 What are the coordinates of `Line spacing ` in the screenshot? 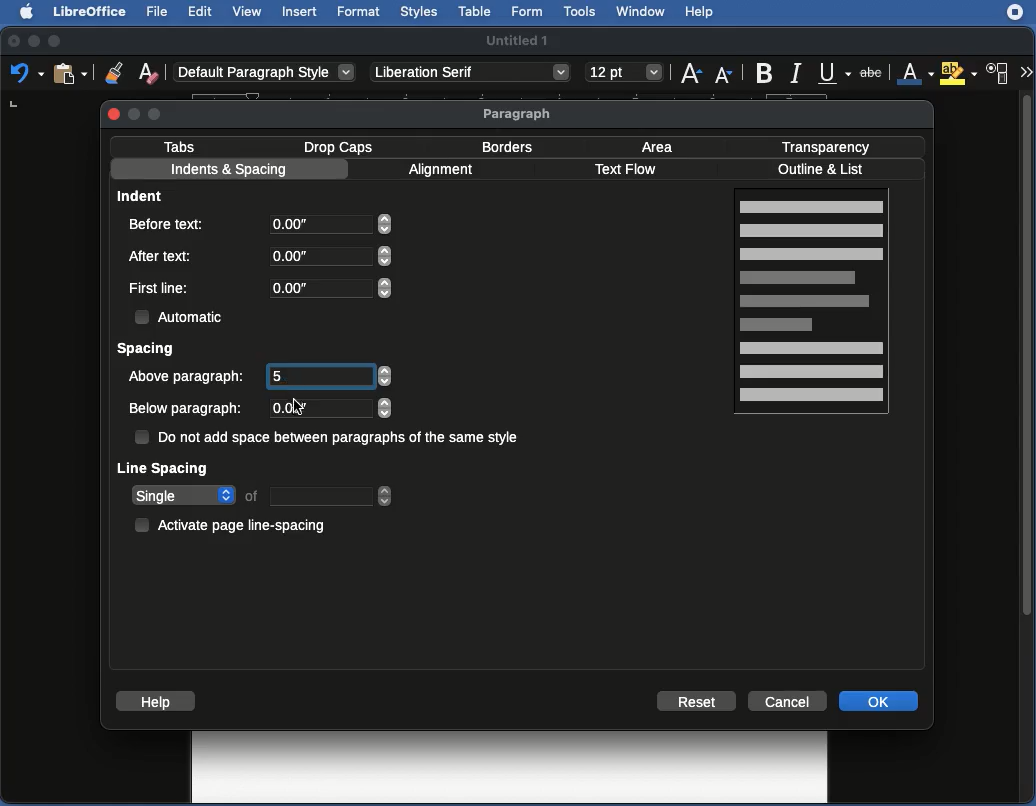 It's located at (164, 467).